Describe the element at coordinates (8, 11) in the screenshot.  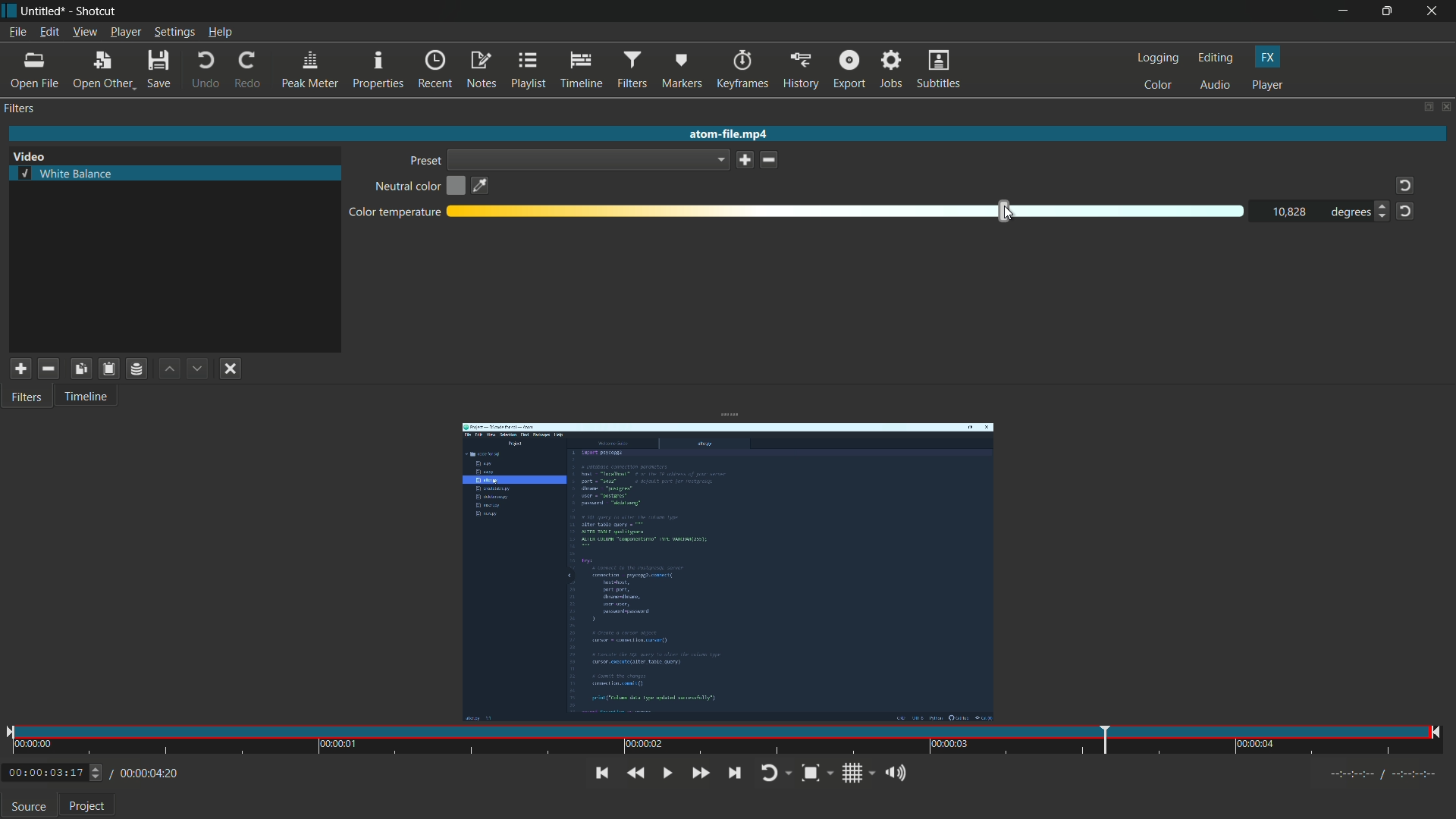
I see `Shotcut icon` at that location.